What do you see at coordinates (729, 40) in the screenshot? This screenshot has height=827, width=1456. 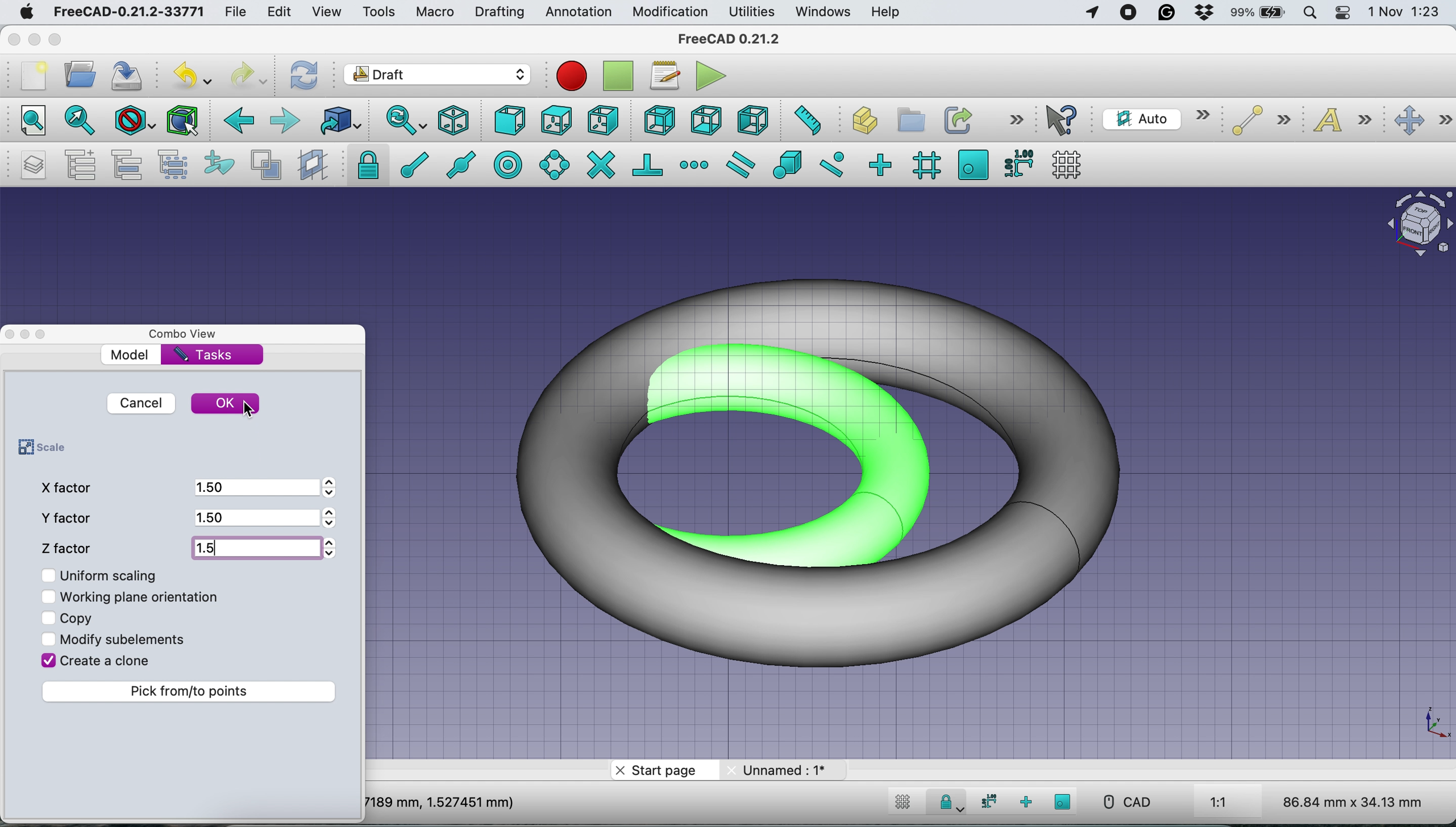 I see `freeCAD 0.21.2` at bounding box center [729, 40].